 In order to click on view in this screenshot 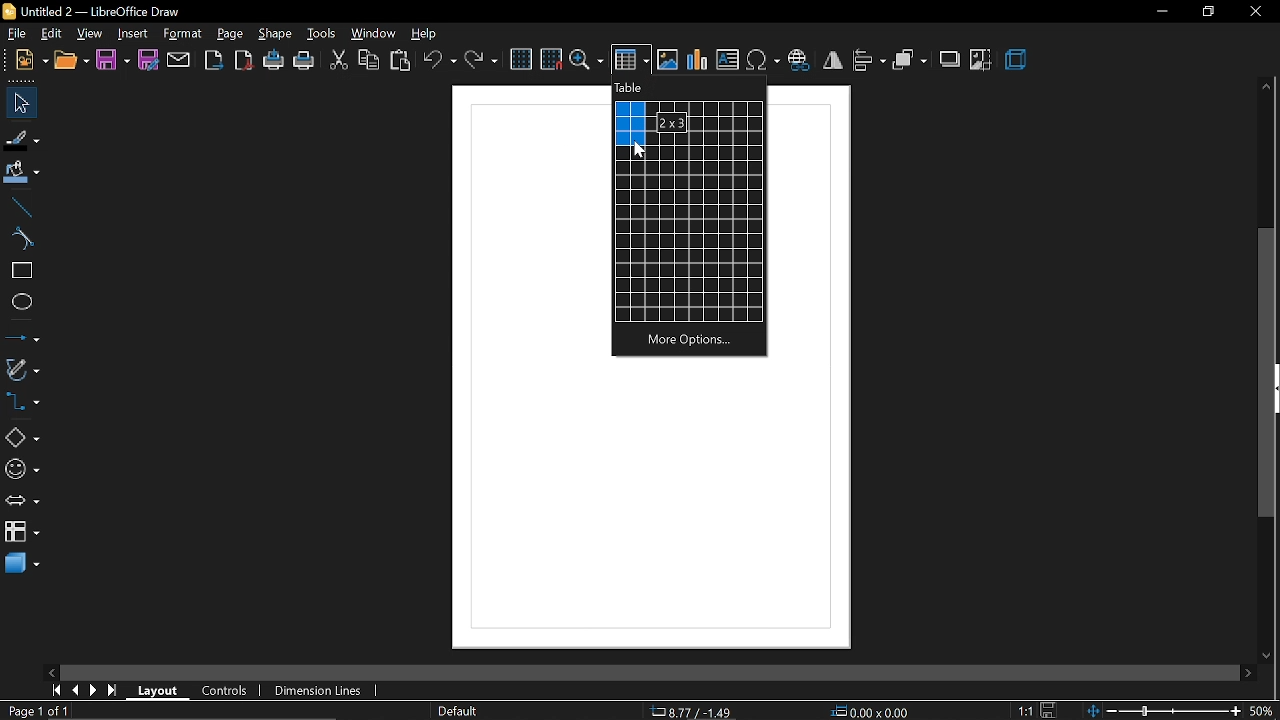, I will do `click(89, 33)`.